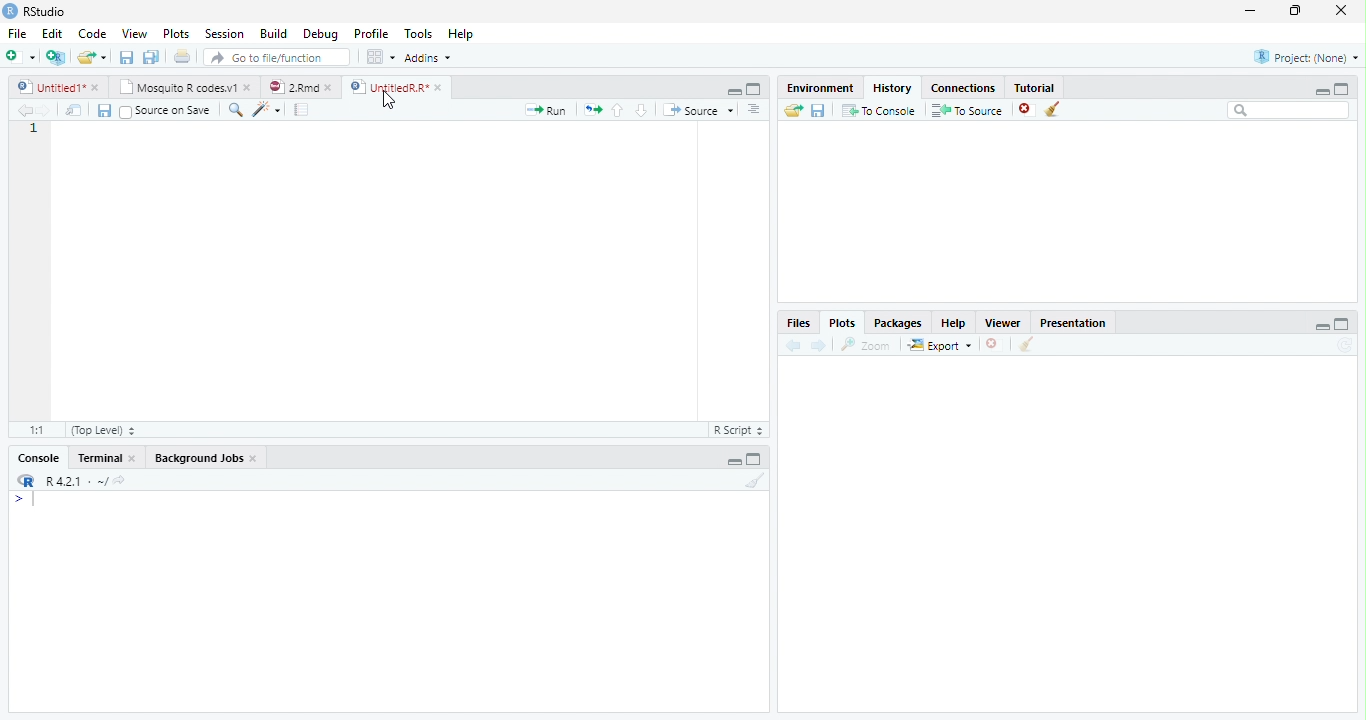 The image size is (1366, 720). Describe the element at coordinates (1001, 325) in the screenshot. I see `Viewer` at that location.